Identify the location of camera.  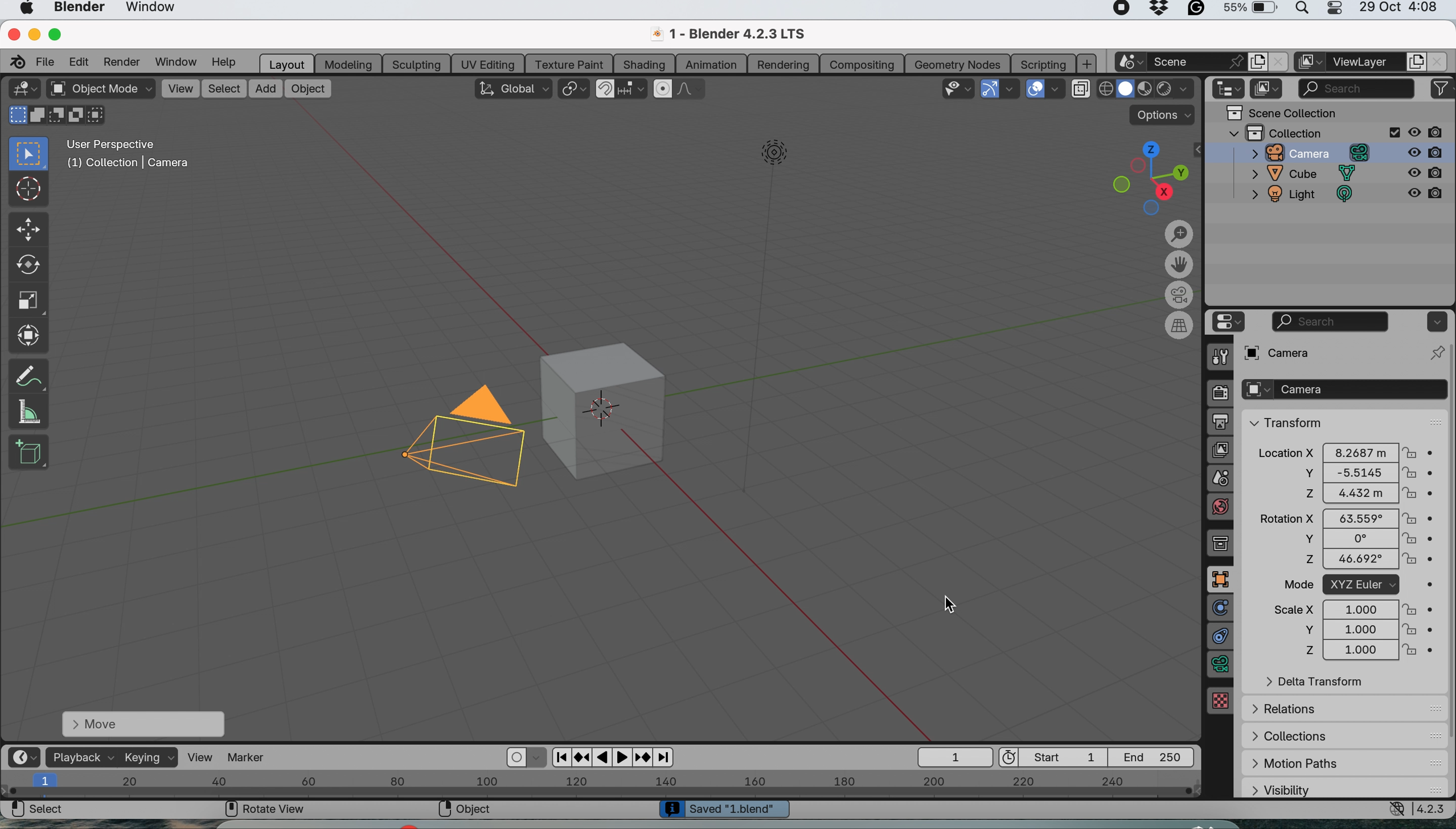
(457, 438).